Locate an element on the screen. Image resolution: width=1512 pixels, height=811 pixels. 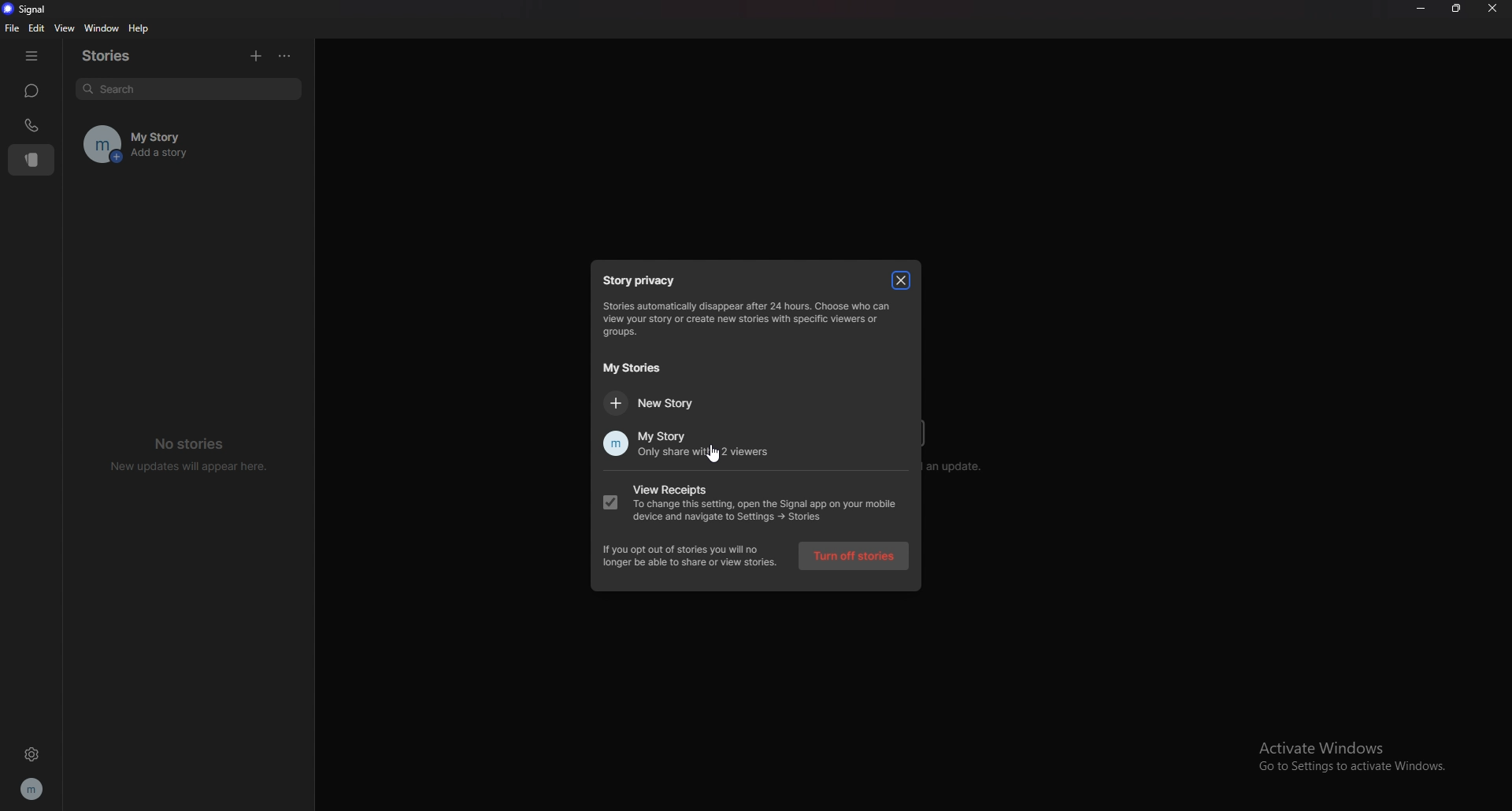
search is located at coordinates (188, 91).